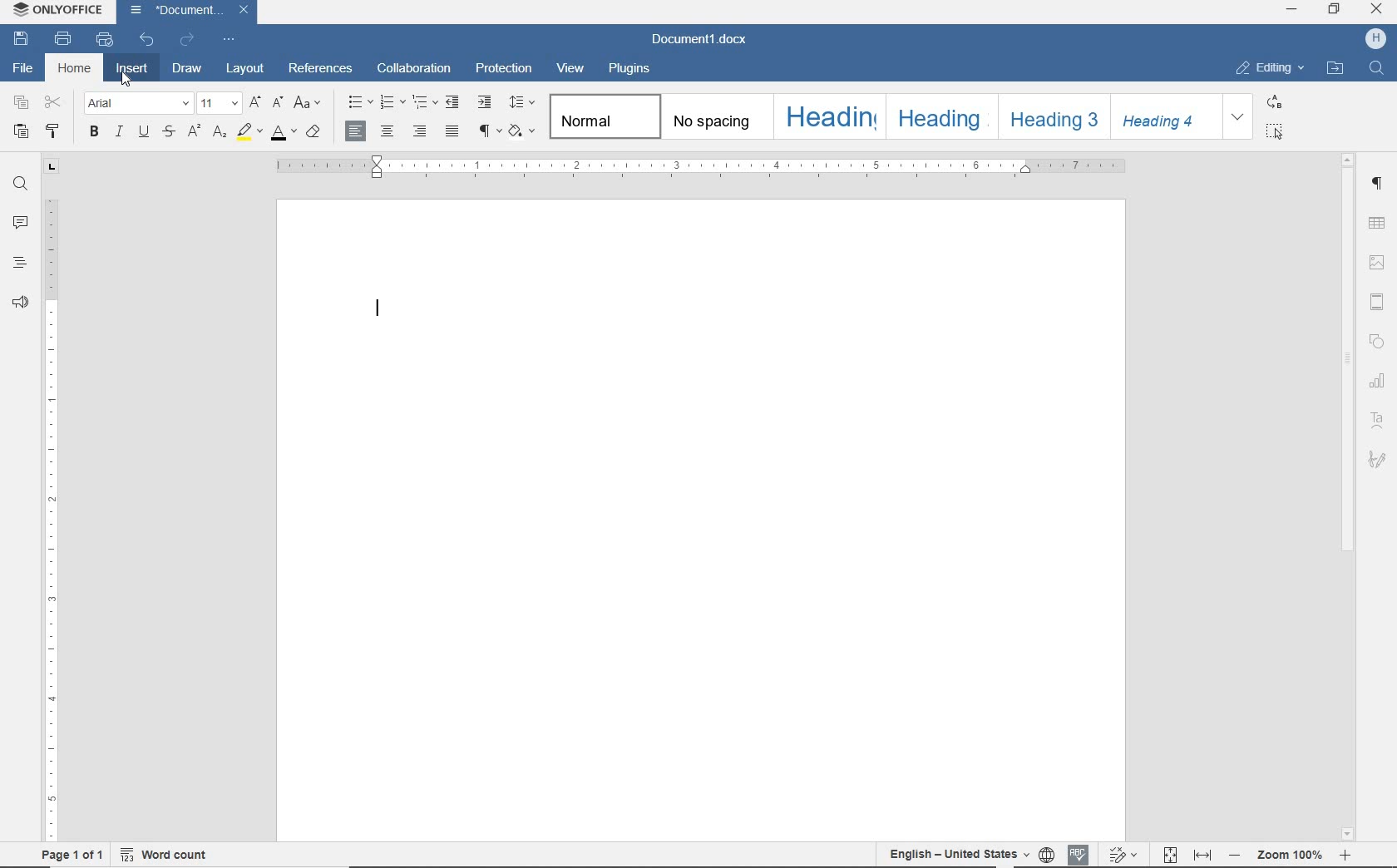 The width and height of the screenshot is (1397, 868). Describe the element at coordinates (1380, 185) in the screenshot. I see `paragraph settings` at that location.